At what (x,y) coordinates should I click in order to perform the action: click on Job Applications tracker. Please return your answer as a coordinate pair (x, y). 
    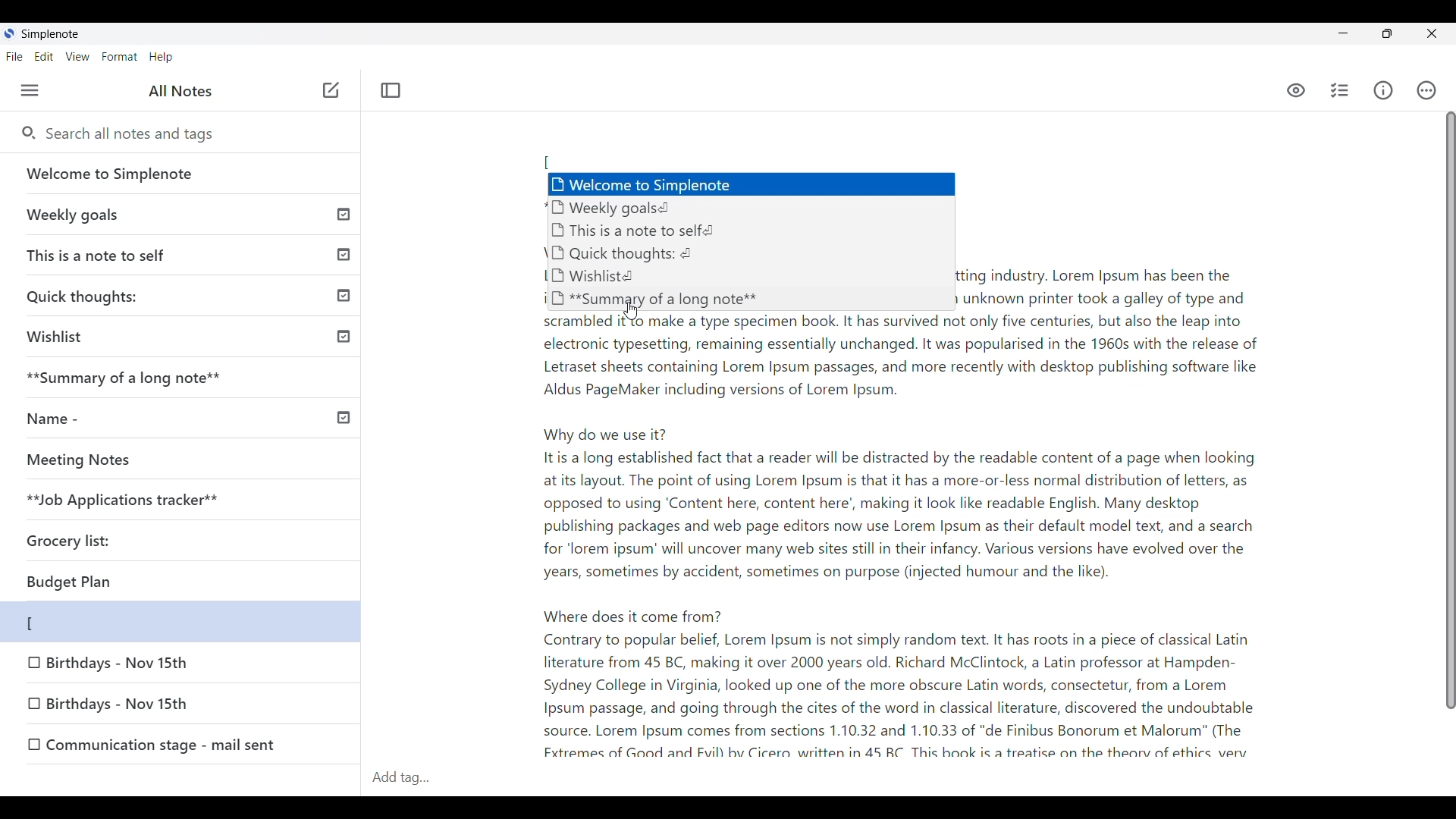
    Looking at the image, I should click on (117, 500).